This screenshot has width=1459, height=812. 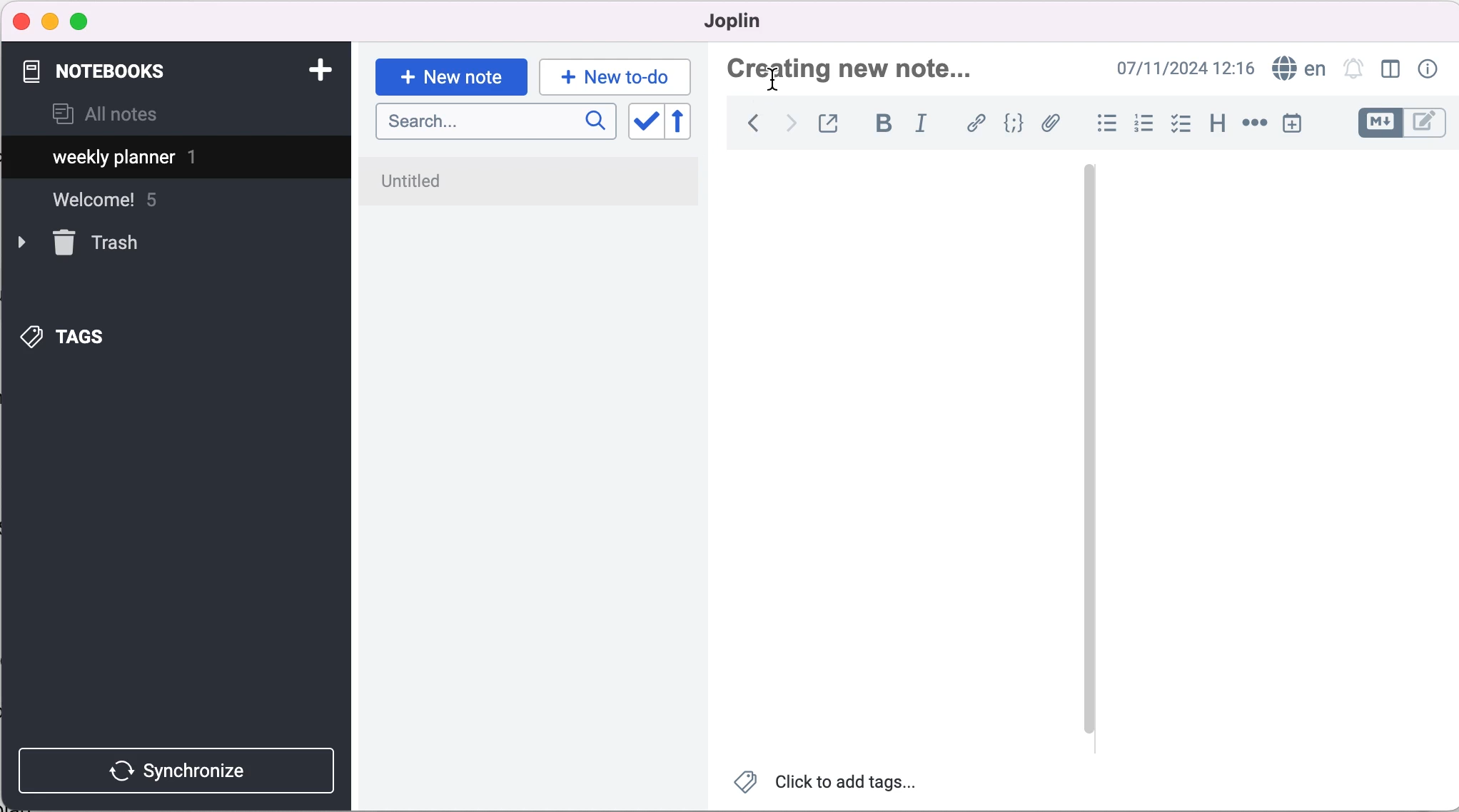 I want to click on heading, so click(x=1216, y=121).